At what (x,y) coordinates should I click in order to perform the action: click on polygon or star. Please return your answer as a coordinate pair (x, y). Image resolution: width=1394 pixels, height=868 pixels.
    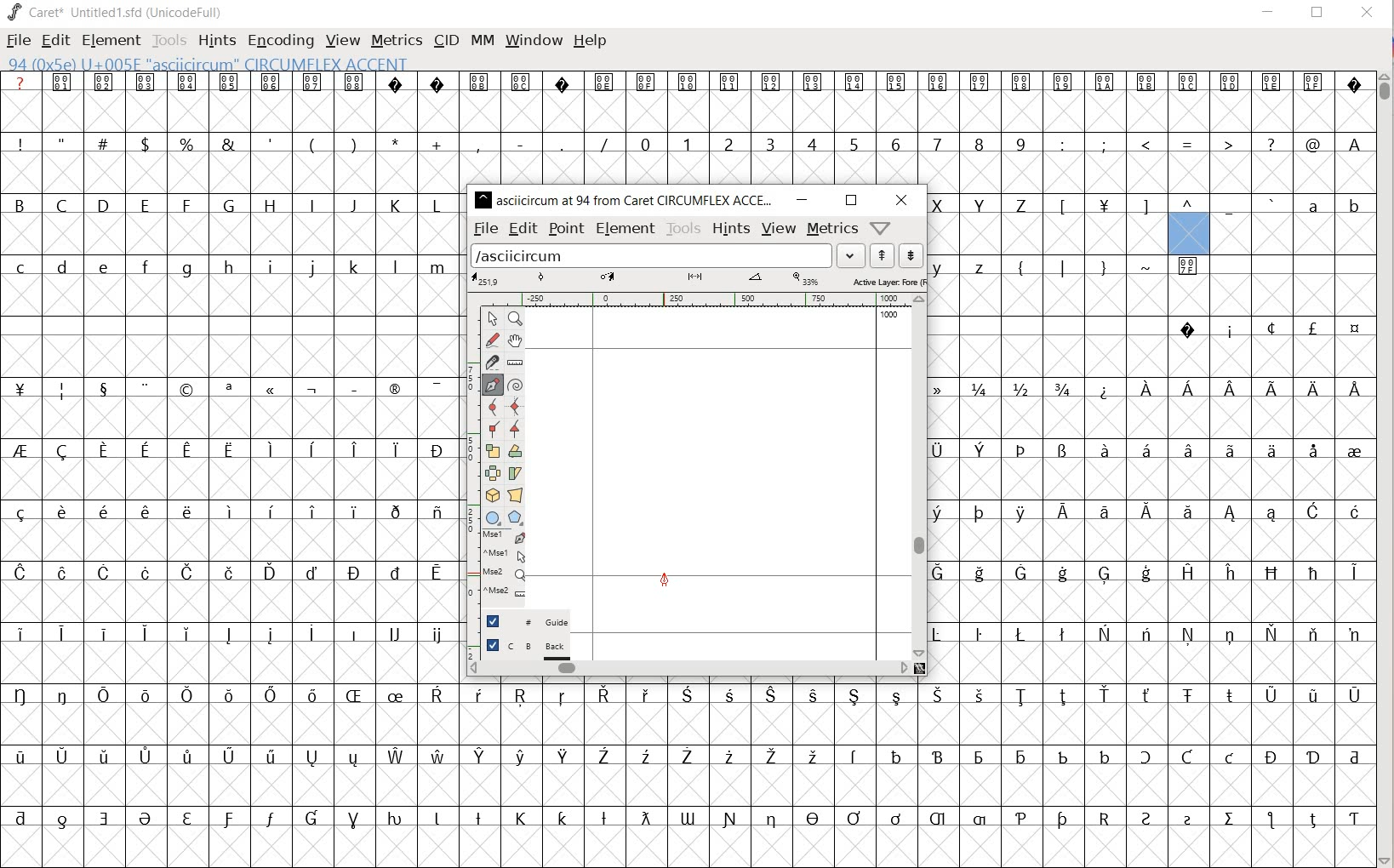
    Looking at the image, I should click on (515, 517).